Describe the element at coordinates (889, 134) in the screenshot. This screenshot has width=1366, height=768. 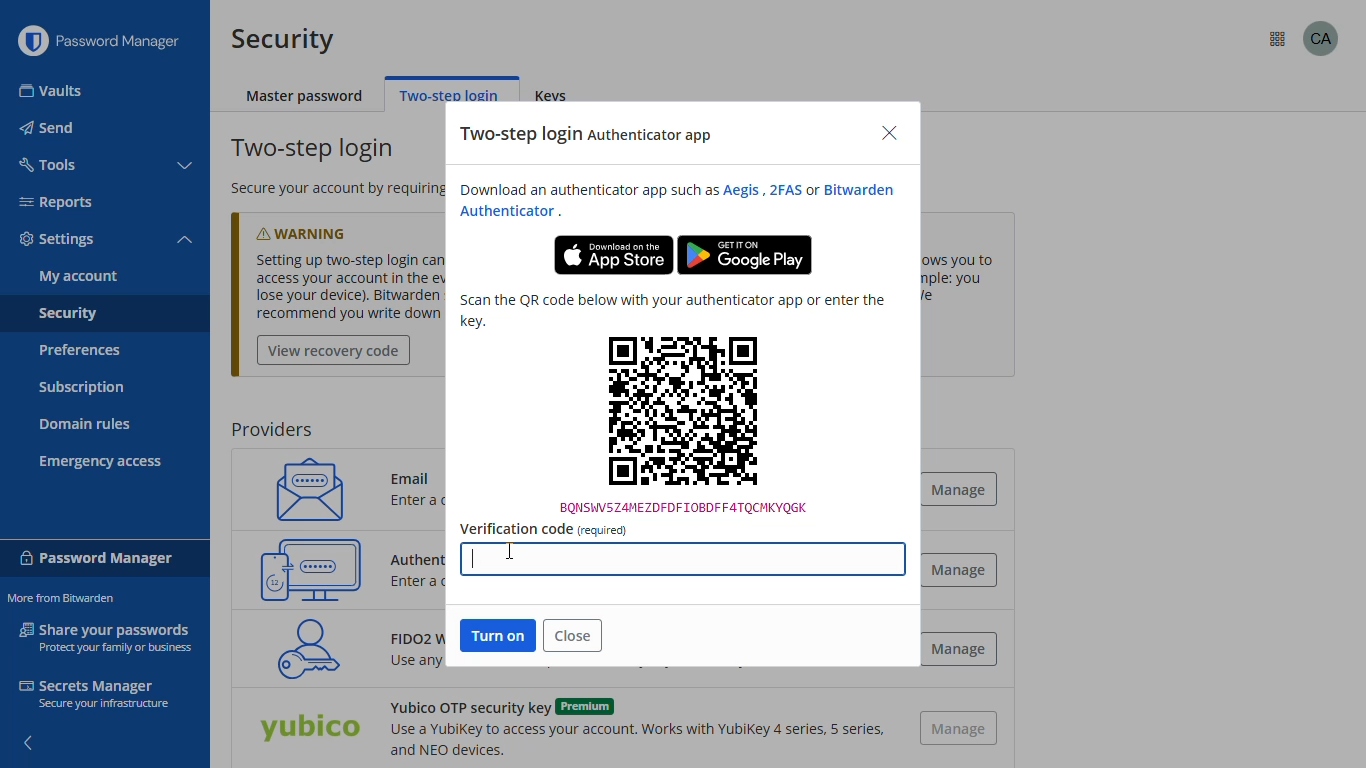
I see `close` at that location.